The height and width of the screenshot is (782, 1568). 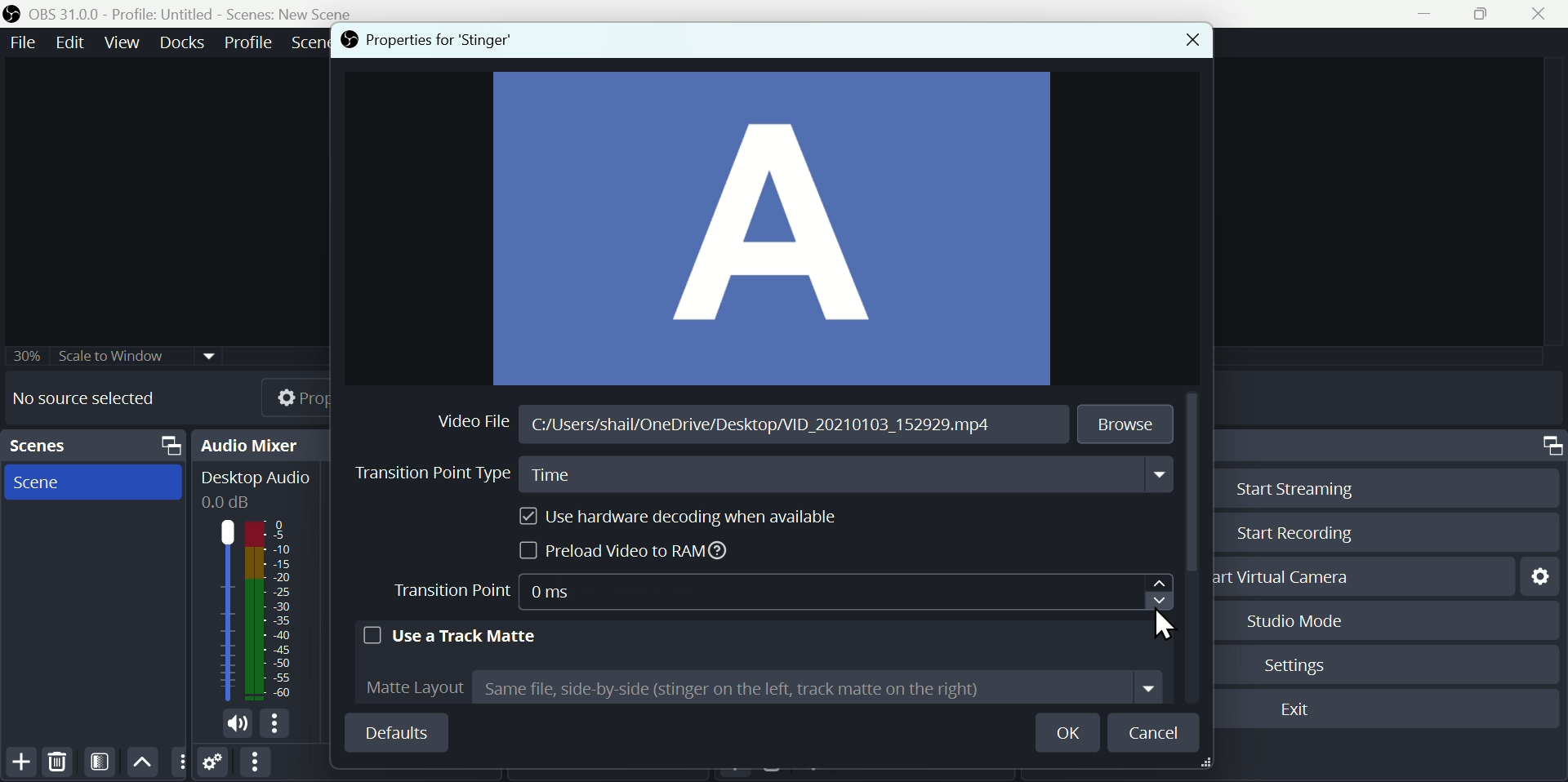 I want to click on Filter, so click(x=103, y=762).